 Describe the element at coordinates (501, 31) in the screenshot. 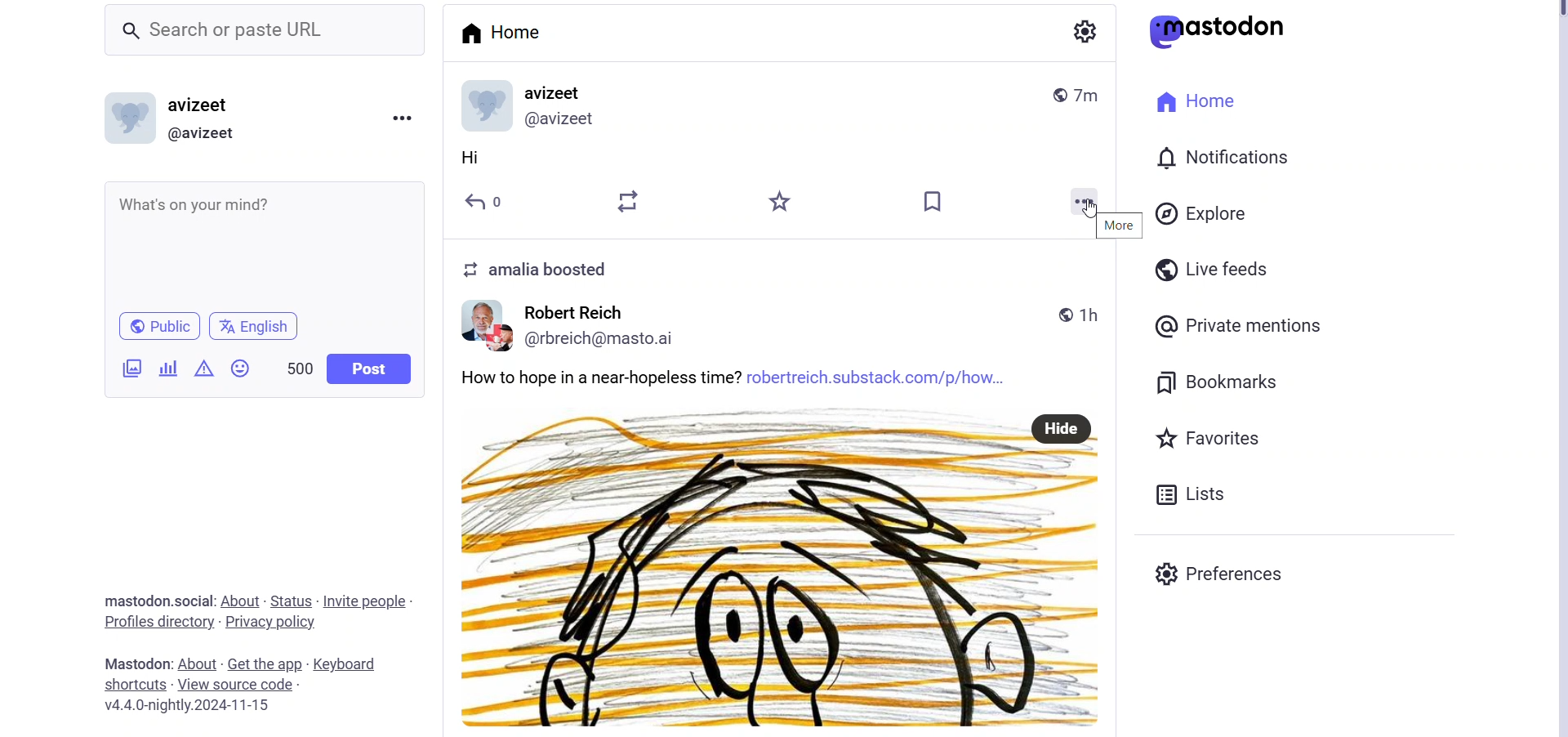

I see `Home` at that location.